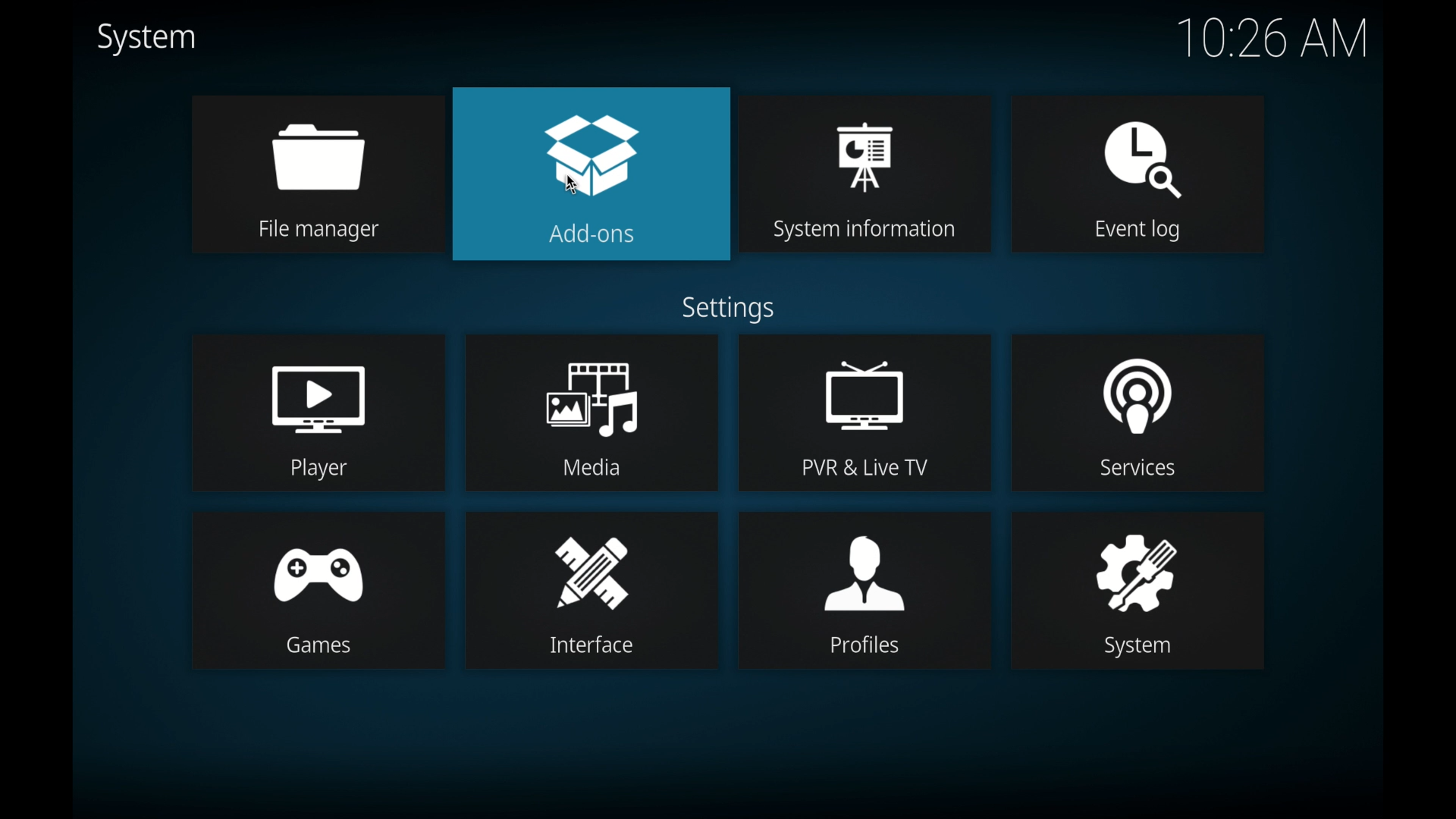 The width and height of the screenshot is (1456, 819). What do you see at coordinates (318, 590) in the screenshot?
I see `games` at bounding box center [318, 590].